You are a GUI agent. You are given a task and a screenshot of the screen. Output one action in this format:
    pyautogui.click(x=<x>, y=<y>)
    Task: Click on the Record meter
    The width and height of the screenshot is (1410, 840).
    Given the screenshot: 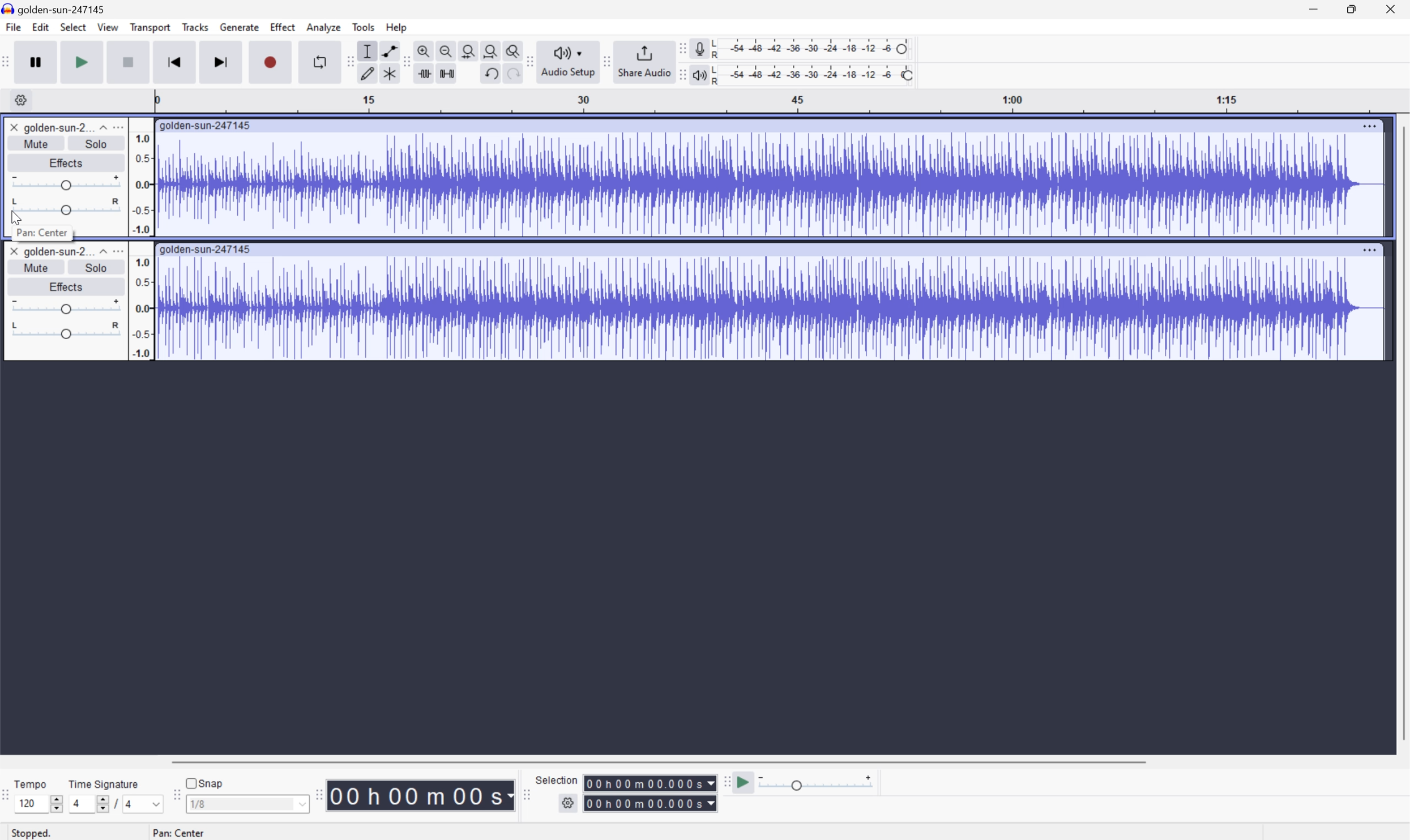 What is the action you would take?
    pyautogui.click(x=697, y=46)
    